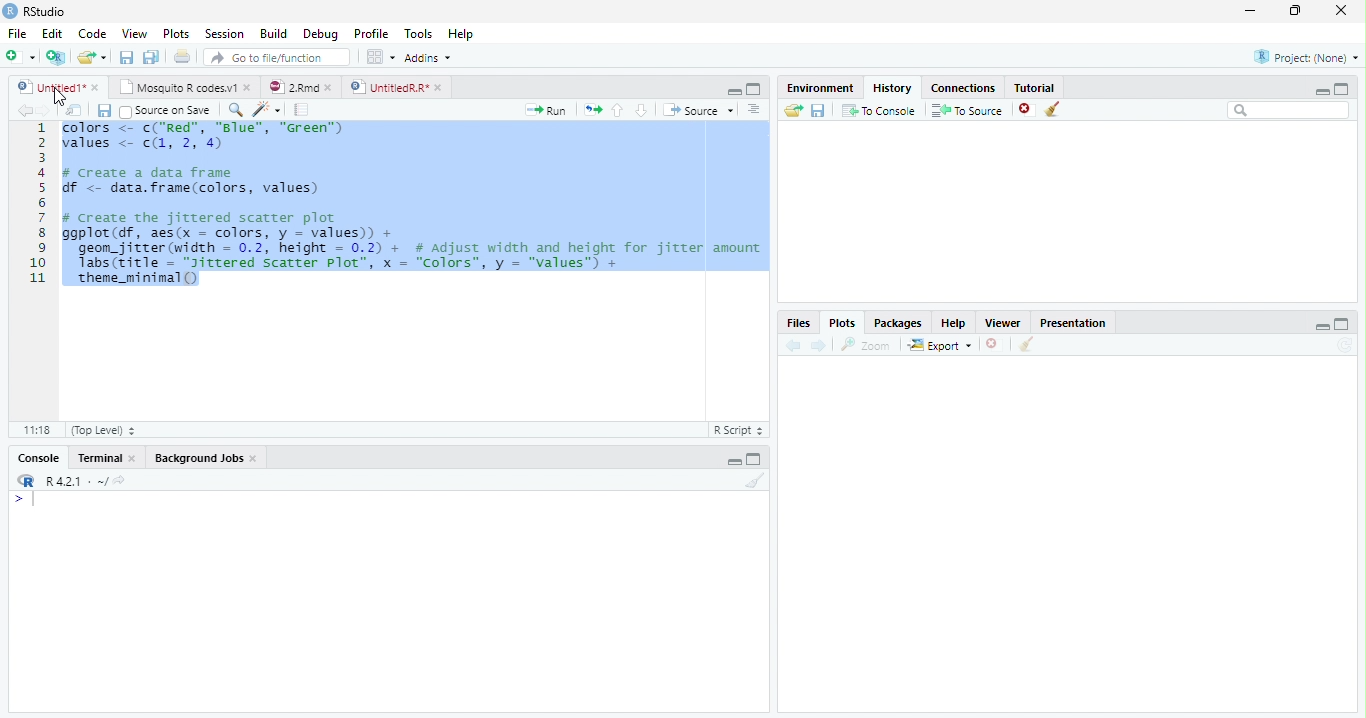 This screenshot has width=1366, height=718. What do you see at coordinates (372, 33) in the screenshot?
I see `Profile` at bounding box center [372, 33].